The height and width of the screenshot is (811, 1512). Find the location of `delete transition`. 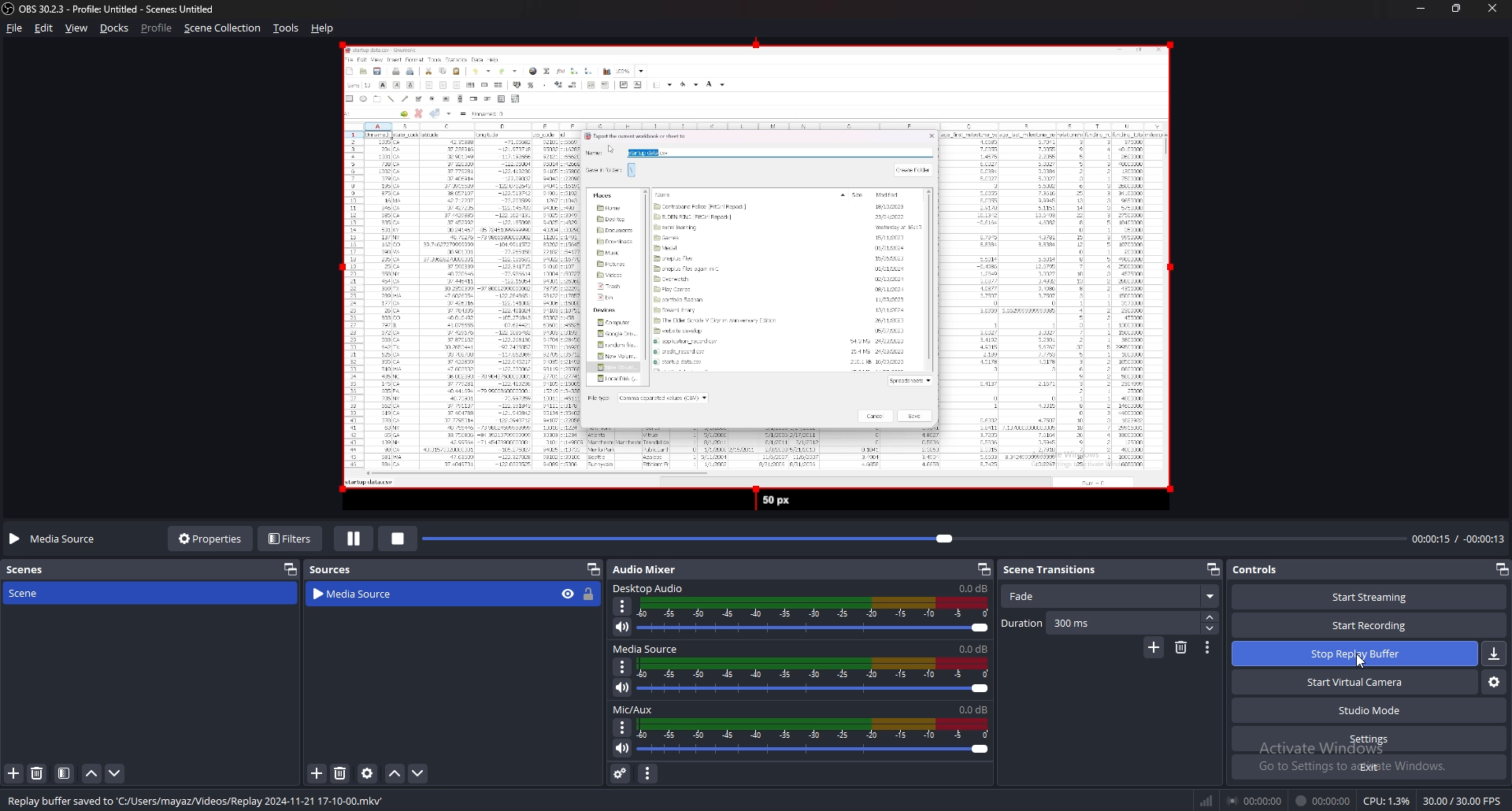

delete transition is located at coordinates (1181, 648).